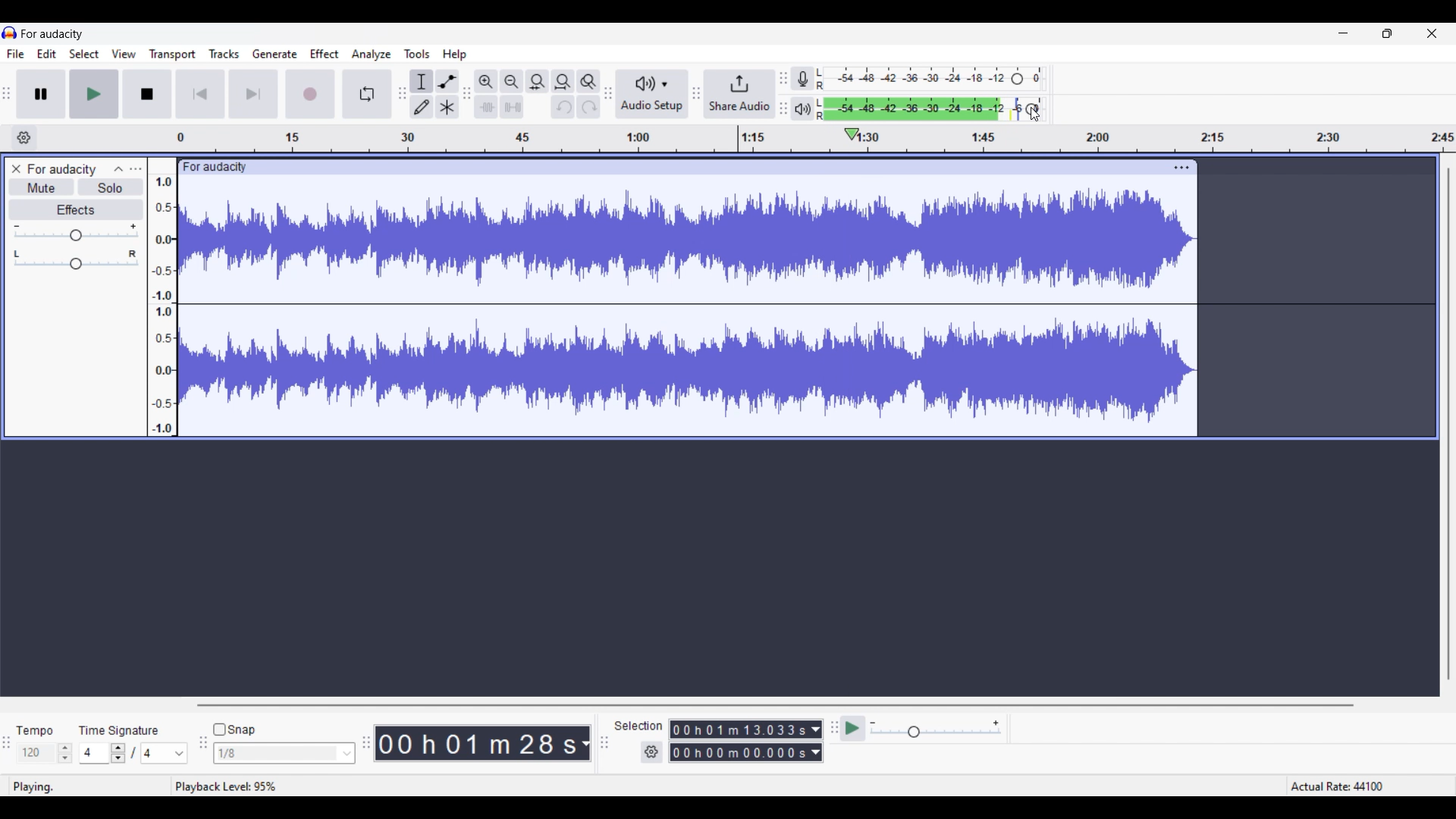 The image size is (1456, 819). I want to click on Current duration of track, so click(480, 743).